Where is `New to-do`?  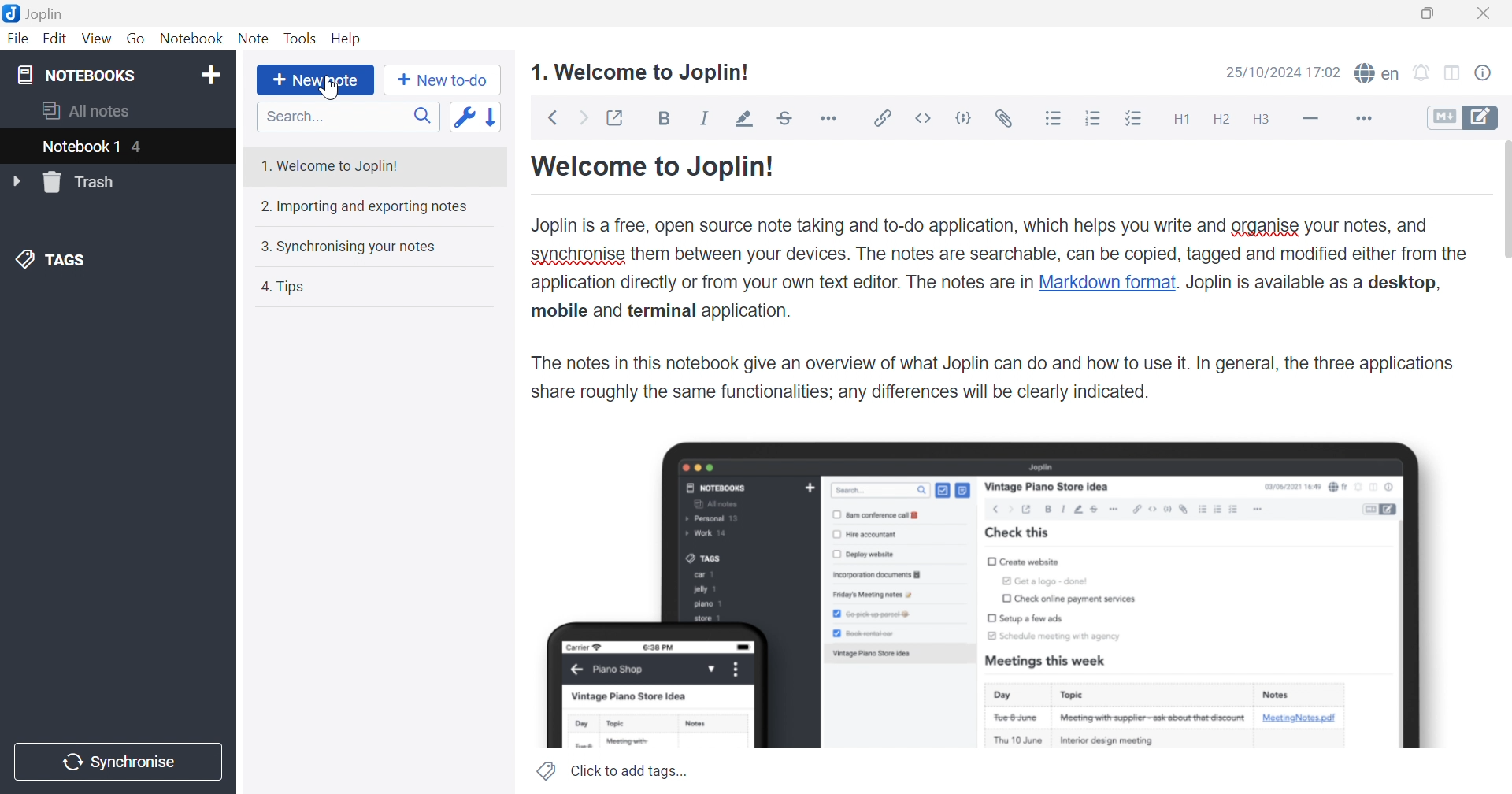
New to-do is located at coordinates (442, 82).